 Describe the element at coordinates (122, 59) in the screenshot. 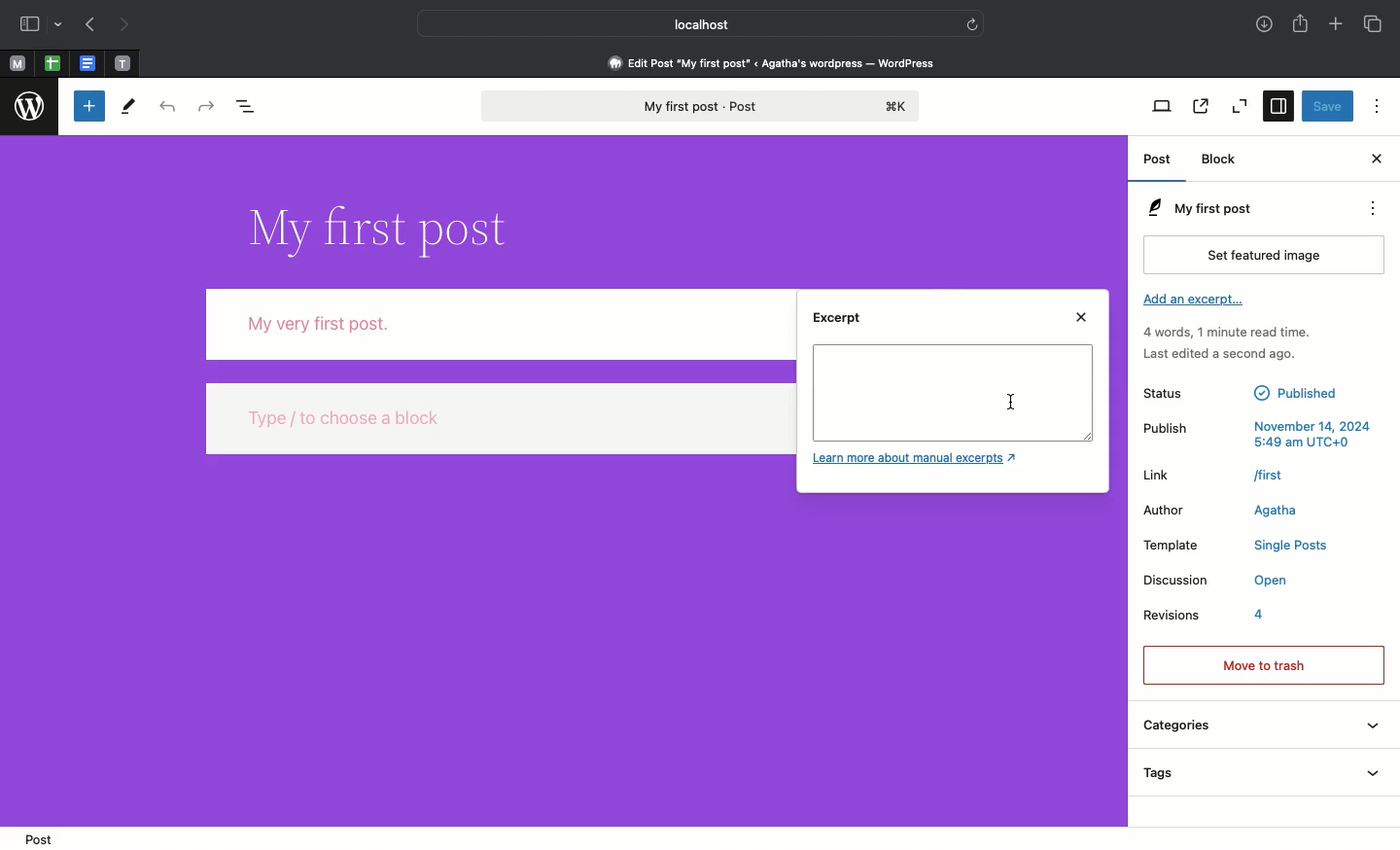

I see `text tab` at that location.